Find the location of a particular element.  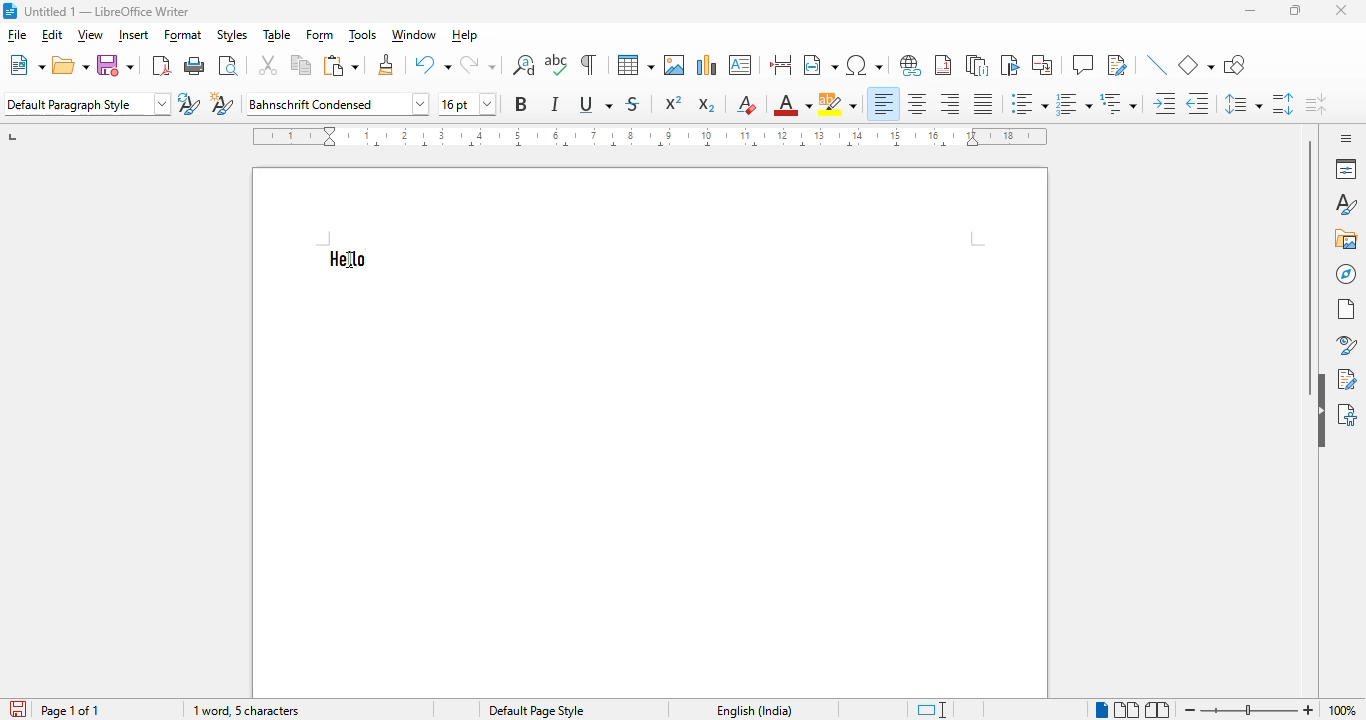

style inspector is located at coordinates (1345, 345).